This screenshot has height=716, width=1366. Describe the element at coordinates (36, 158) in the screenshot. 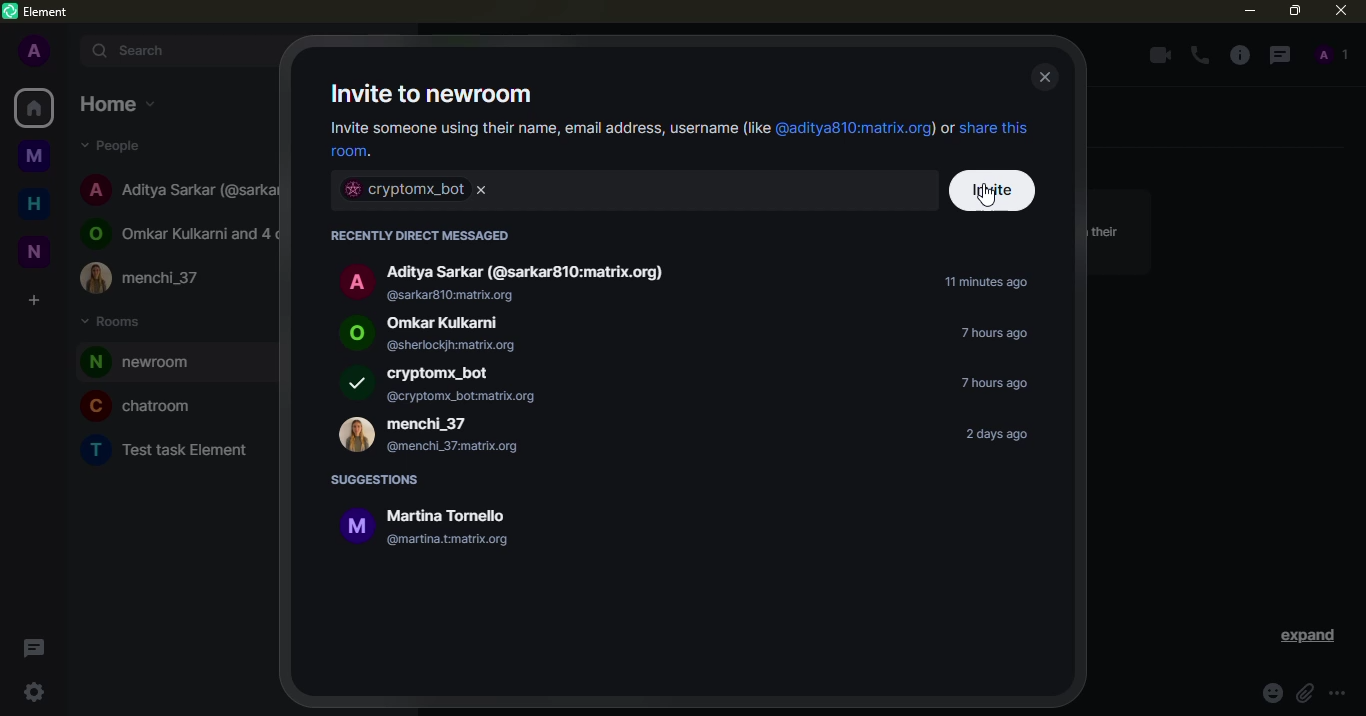

I see `myspace` at that location.